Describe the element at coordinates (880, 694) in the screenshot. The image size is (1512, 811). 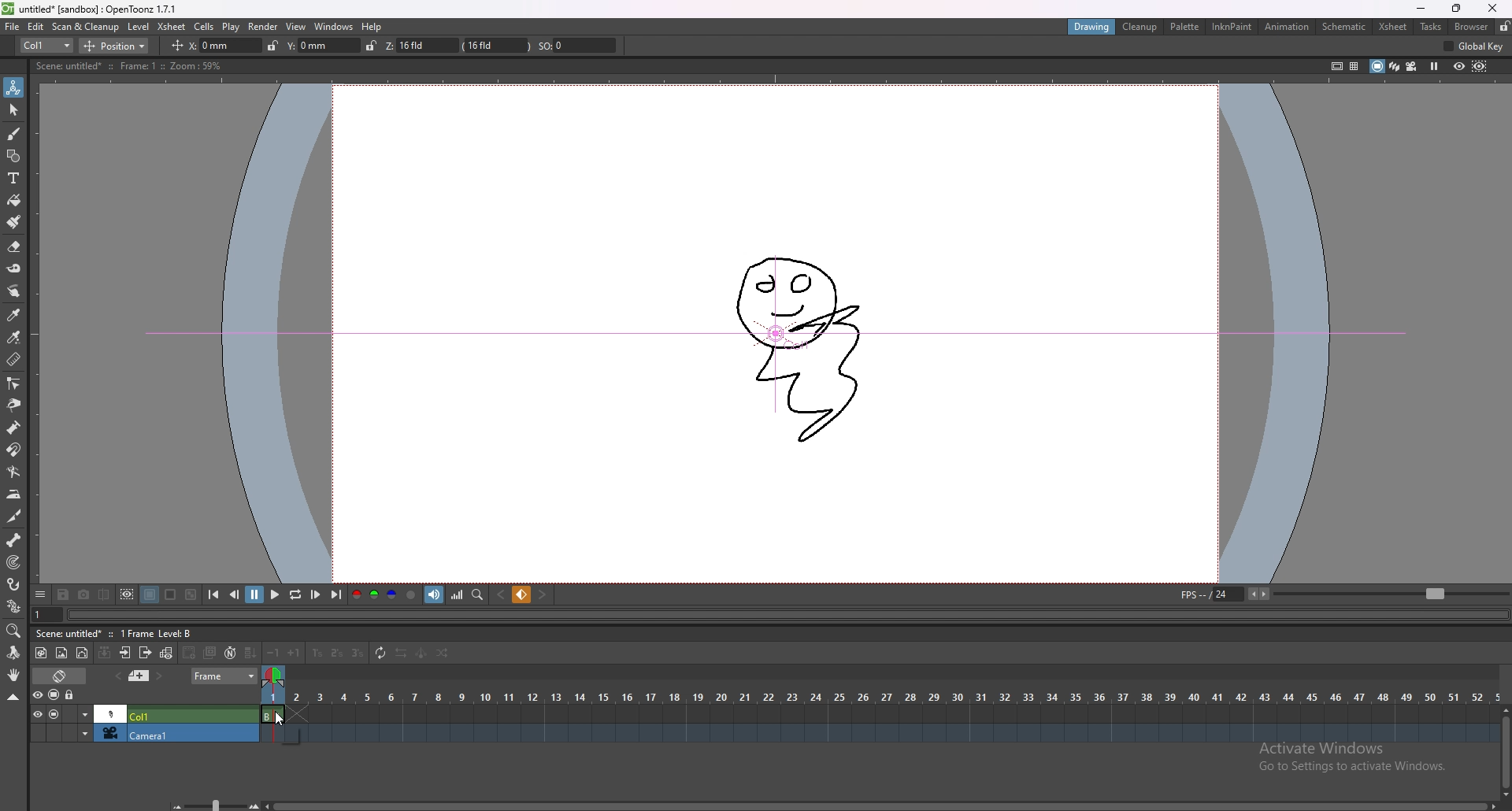
I see `time` at that location.